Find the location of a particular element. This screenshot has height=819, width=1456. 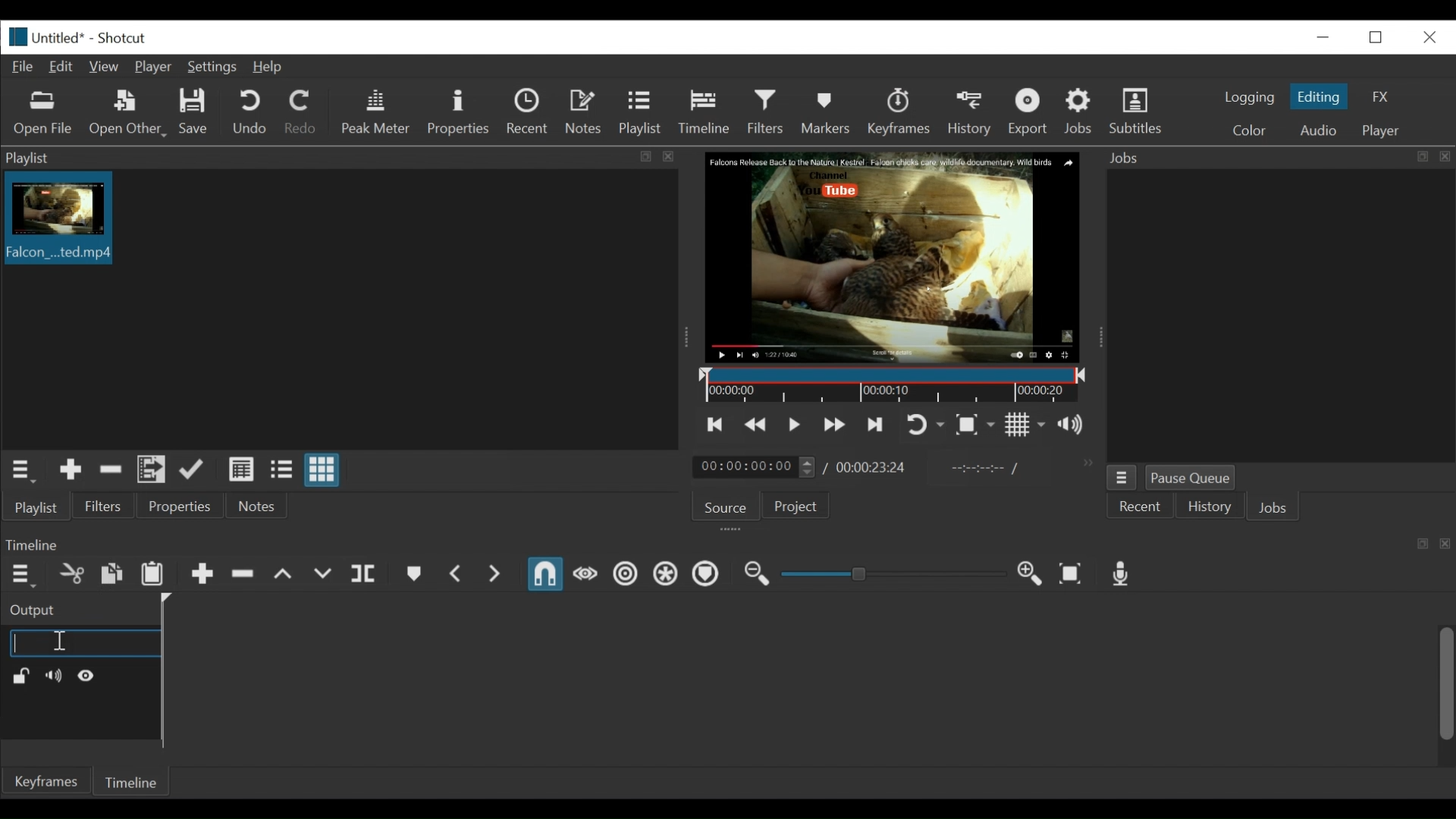

Split at playhead is located at coordinates (362, 574).